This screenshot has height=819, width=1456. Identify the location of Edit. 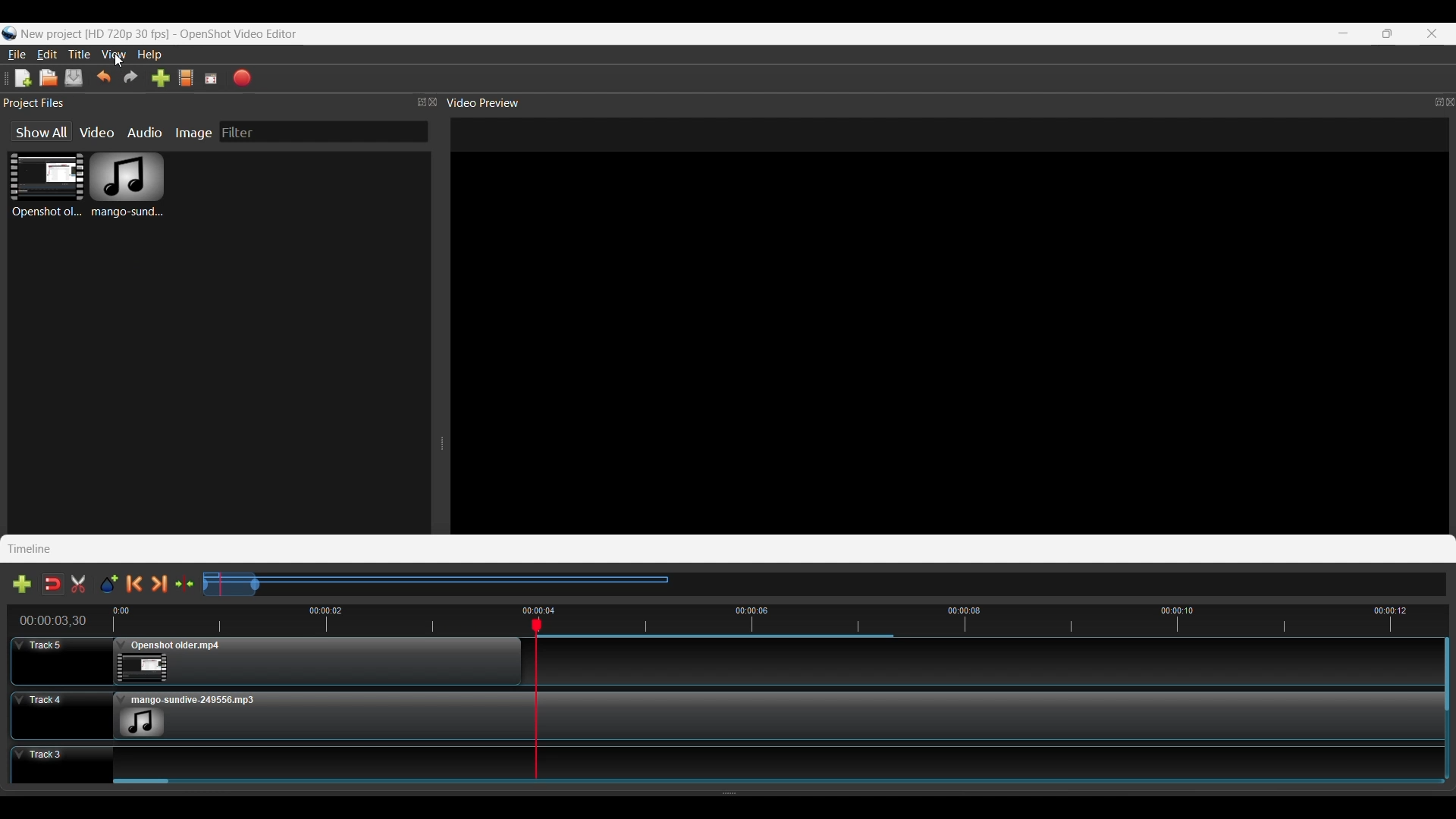
(48, 54).